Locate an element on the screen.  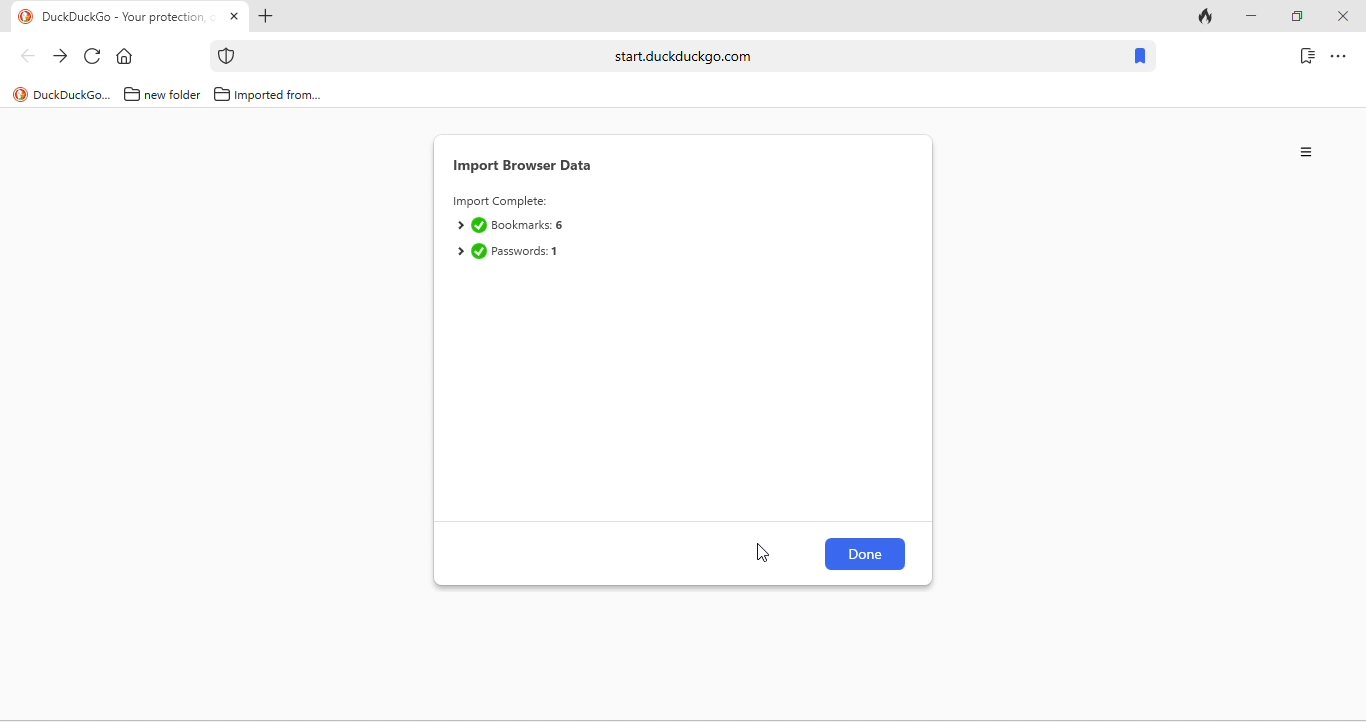
imported from is located at coordinates (268, 94).